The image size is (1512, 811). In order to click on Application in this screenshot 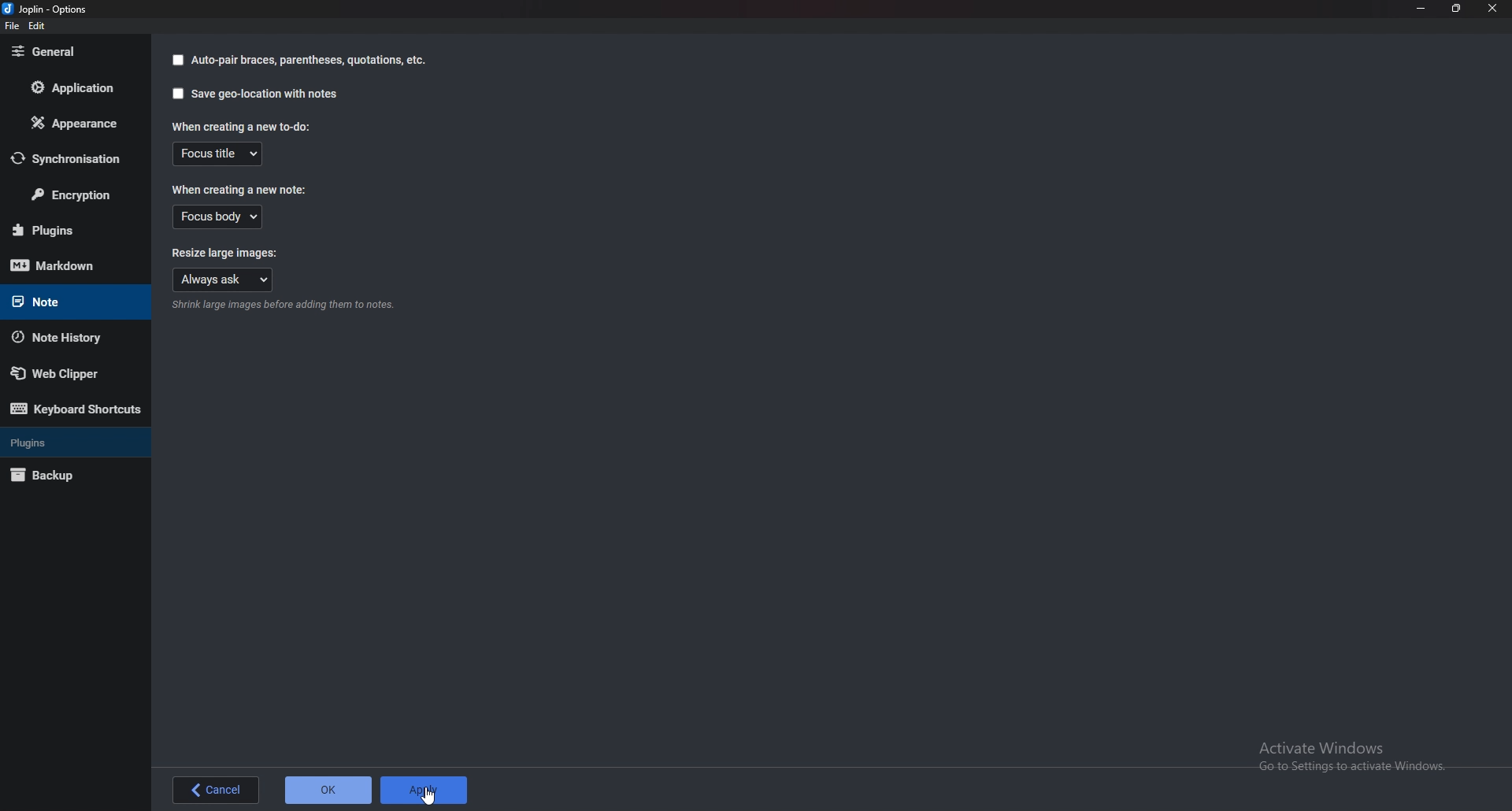, I will do `click(69, 91)`.